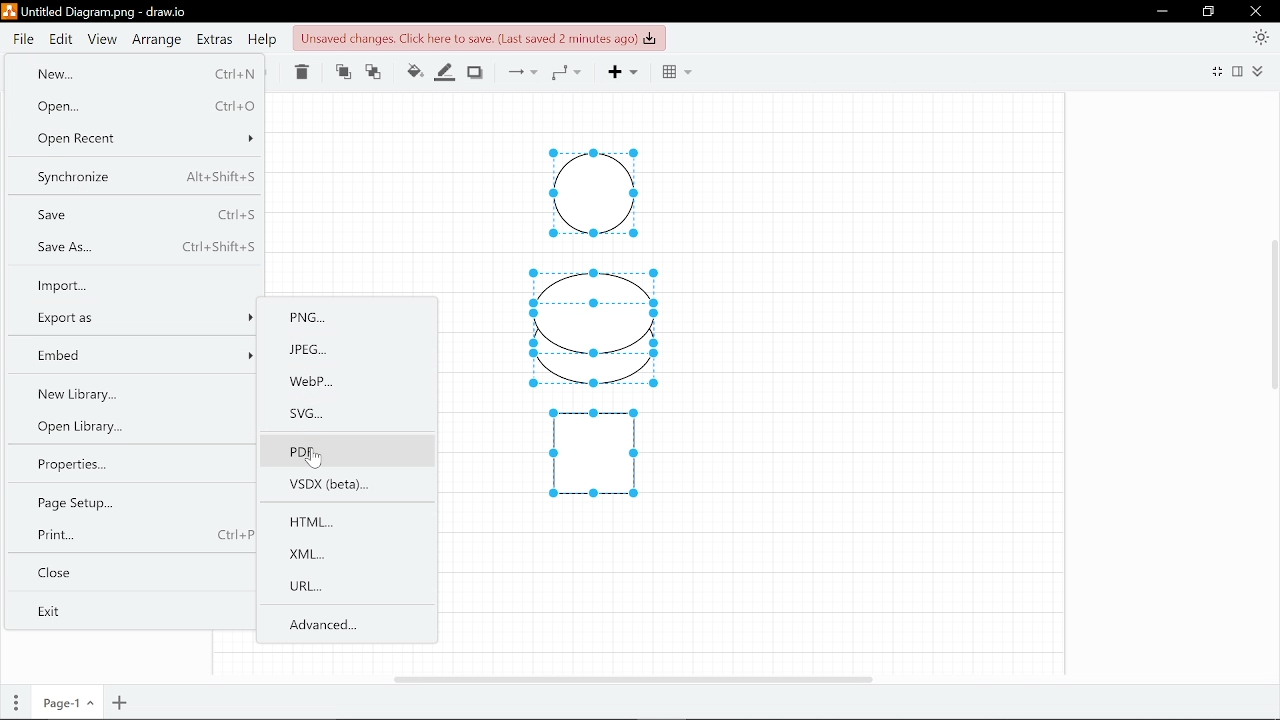 The height and width of the screenshot is (720, 1280). I want to click on New library, so click(130, 394).